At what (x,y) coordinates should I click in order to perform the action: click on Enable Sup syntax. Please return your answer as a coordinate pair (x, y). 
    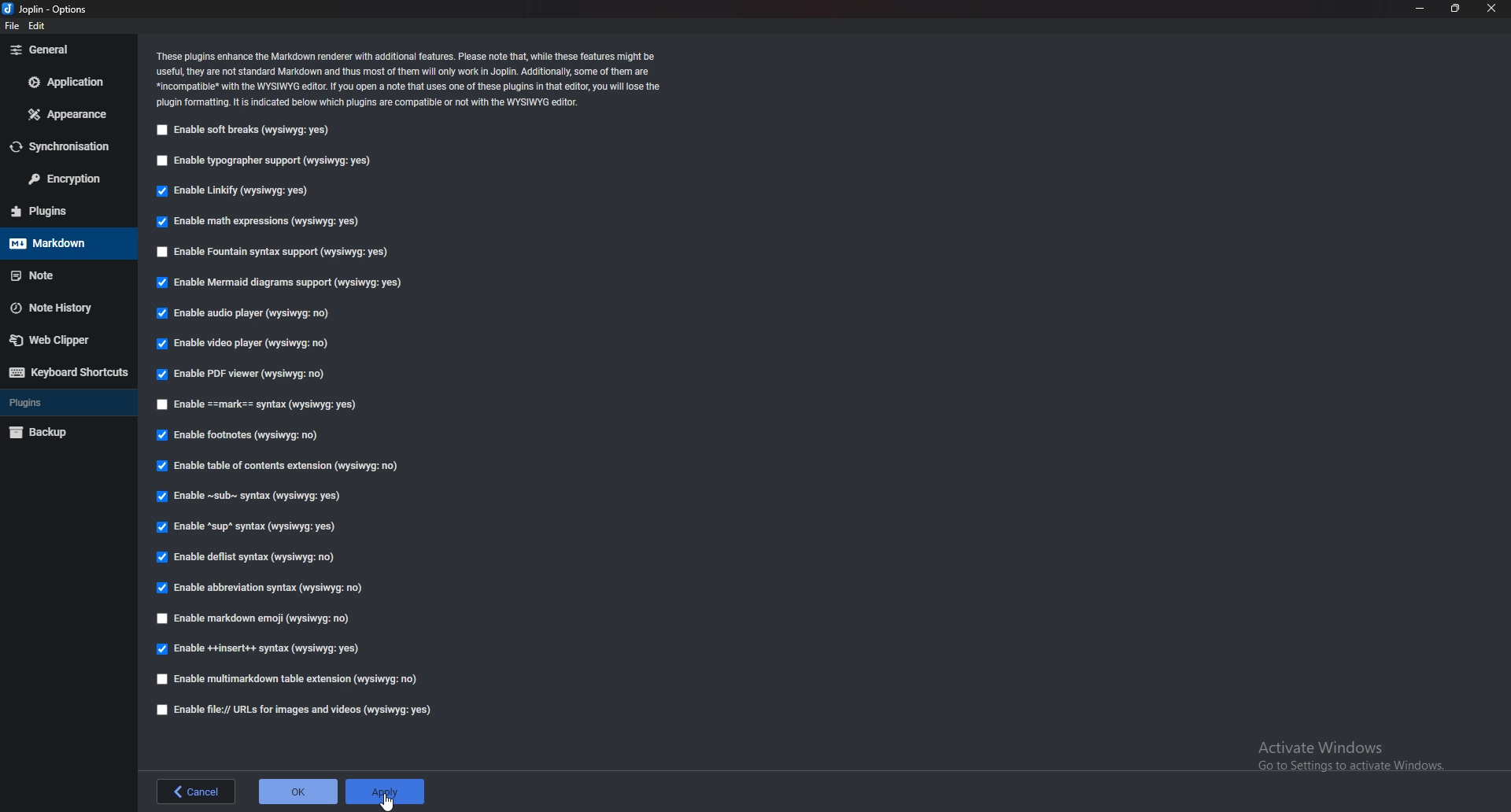
    Looking at the image, I should click on (250, 527).